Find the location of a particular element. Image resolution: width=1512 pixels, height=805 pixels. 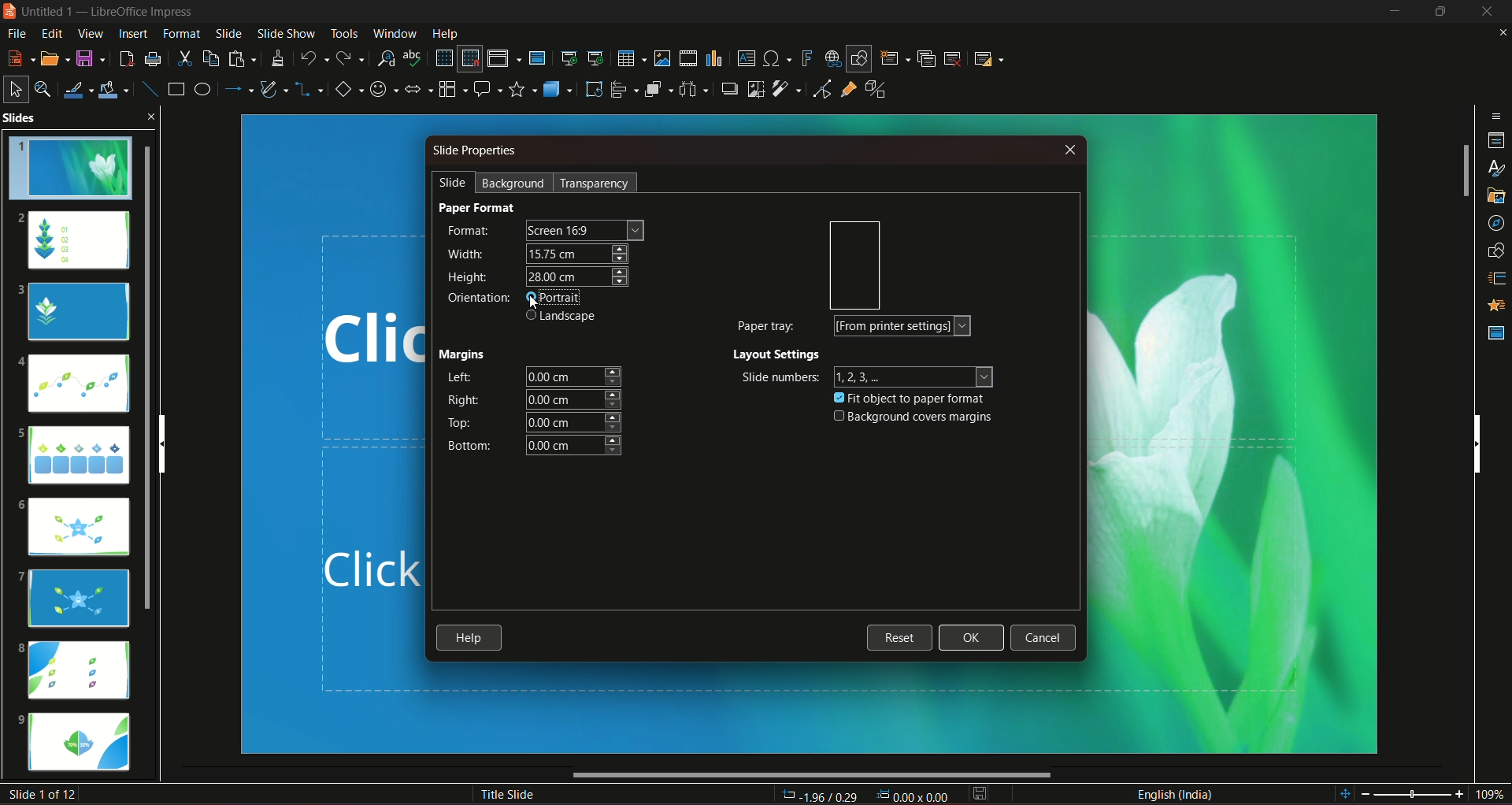

insert is located at coordinates (131, 33).